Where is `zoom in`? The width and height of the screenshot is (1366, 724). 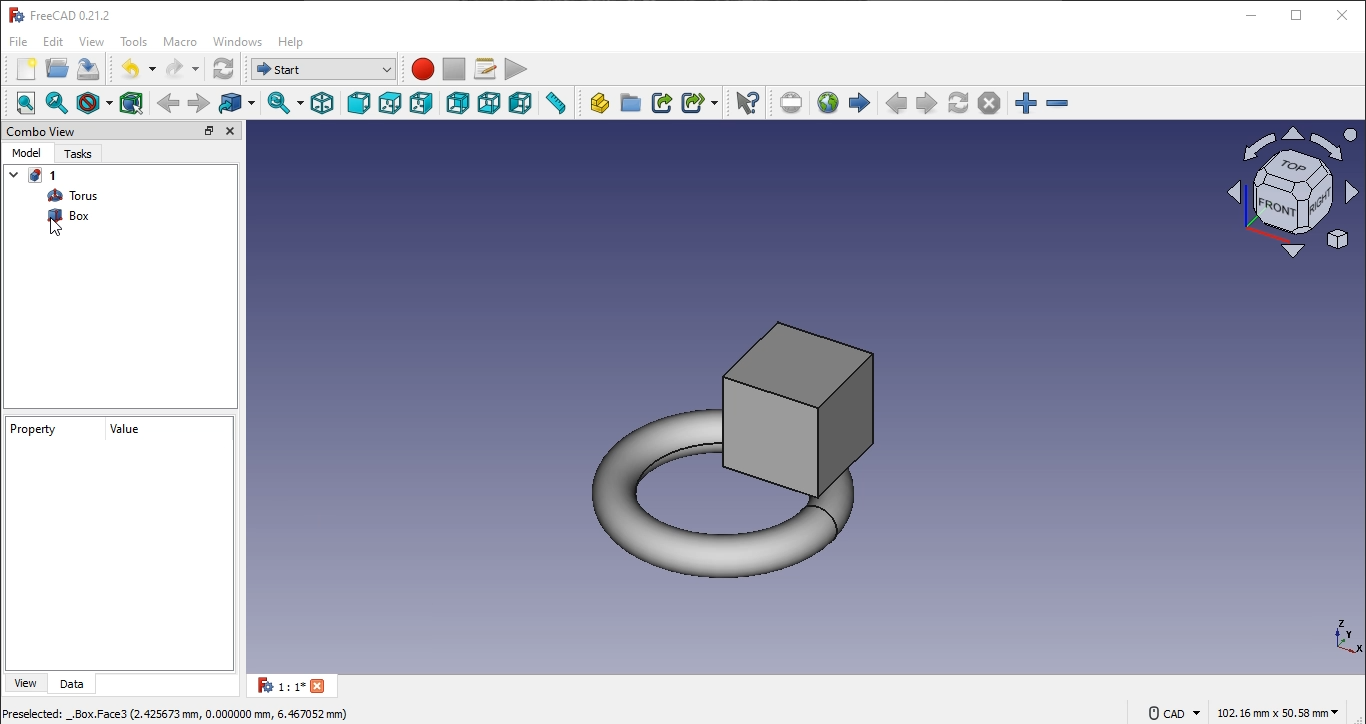 zoom in is located at coordinates (1026, 103).